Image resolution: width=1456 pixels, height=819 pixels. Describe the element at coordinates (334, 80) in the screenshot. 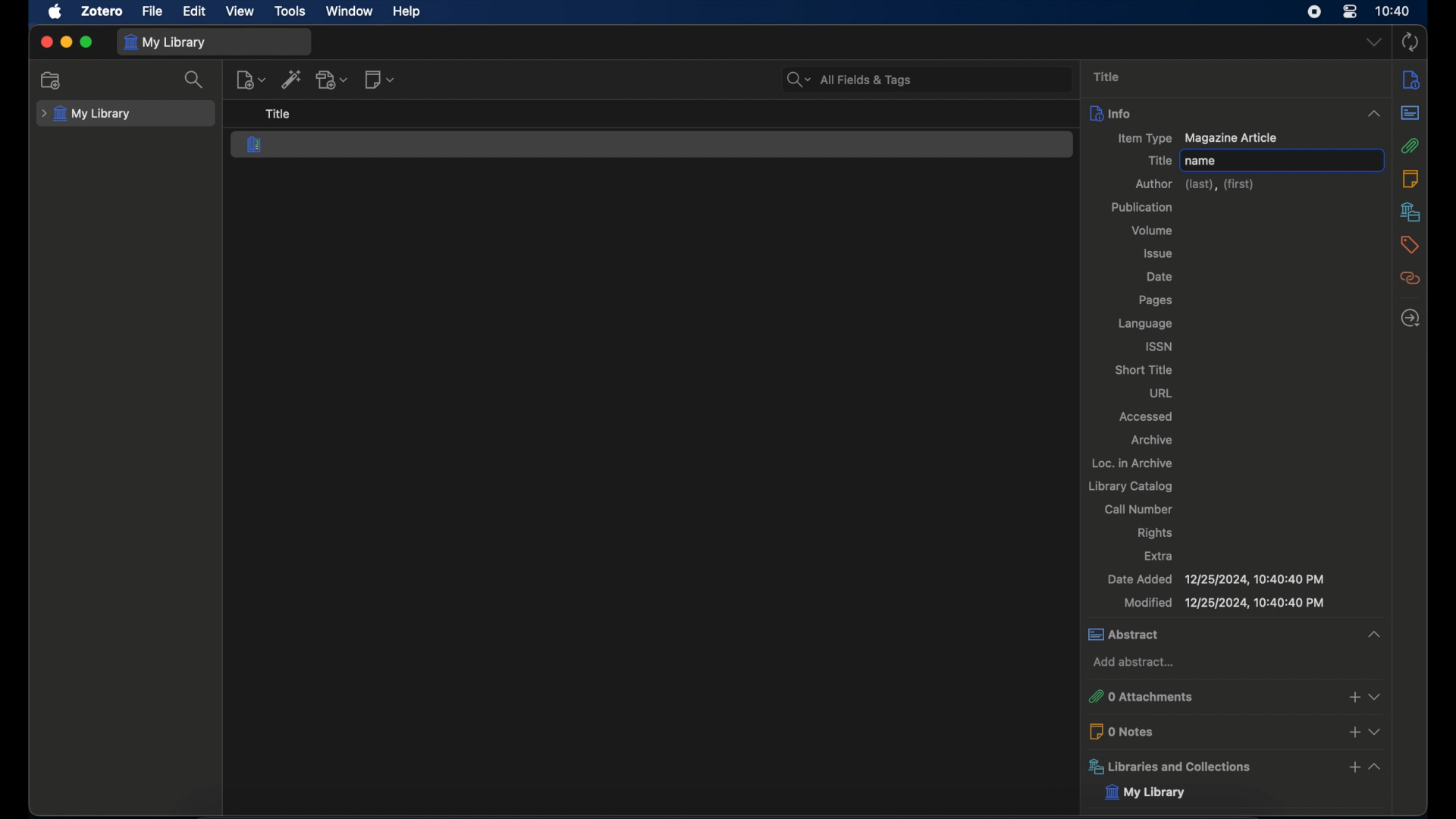

I see `add attachment` at that location.